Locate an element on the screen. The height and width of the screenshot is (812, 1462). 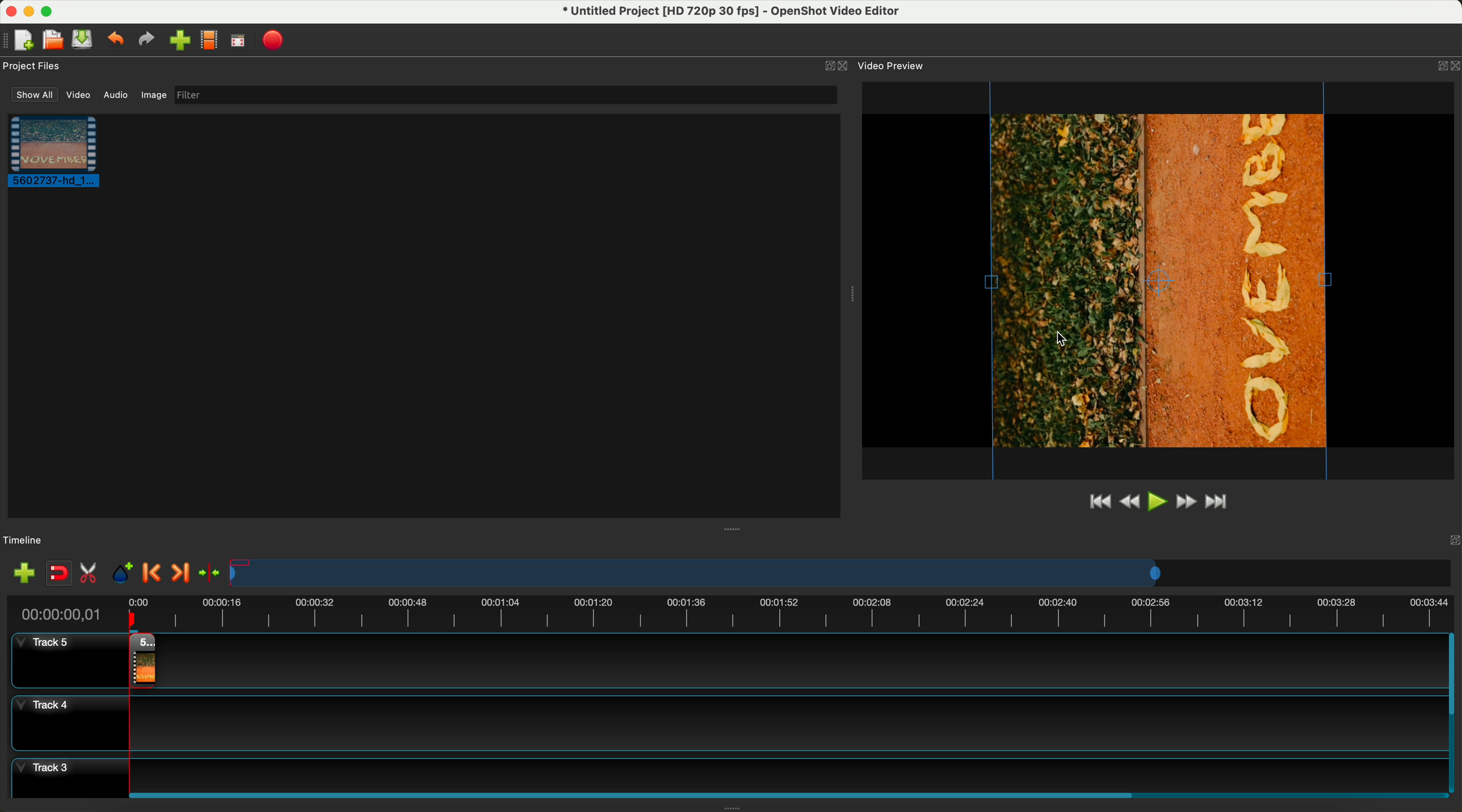
filter is located at coordinates (505, 95).